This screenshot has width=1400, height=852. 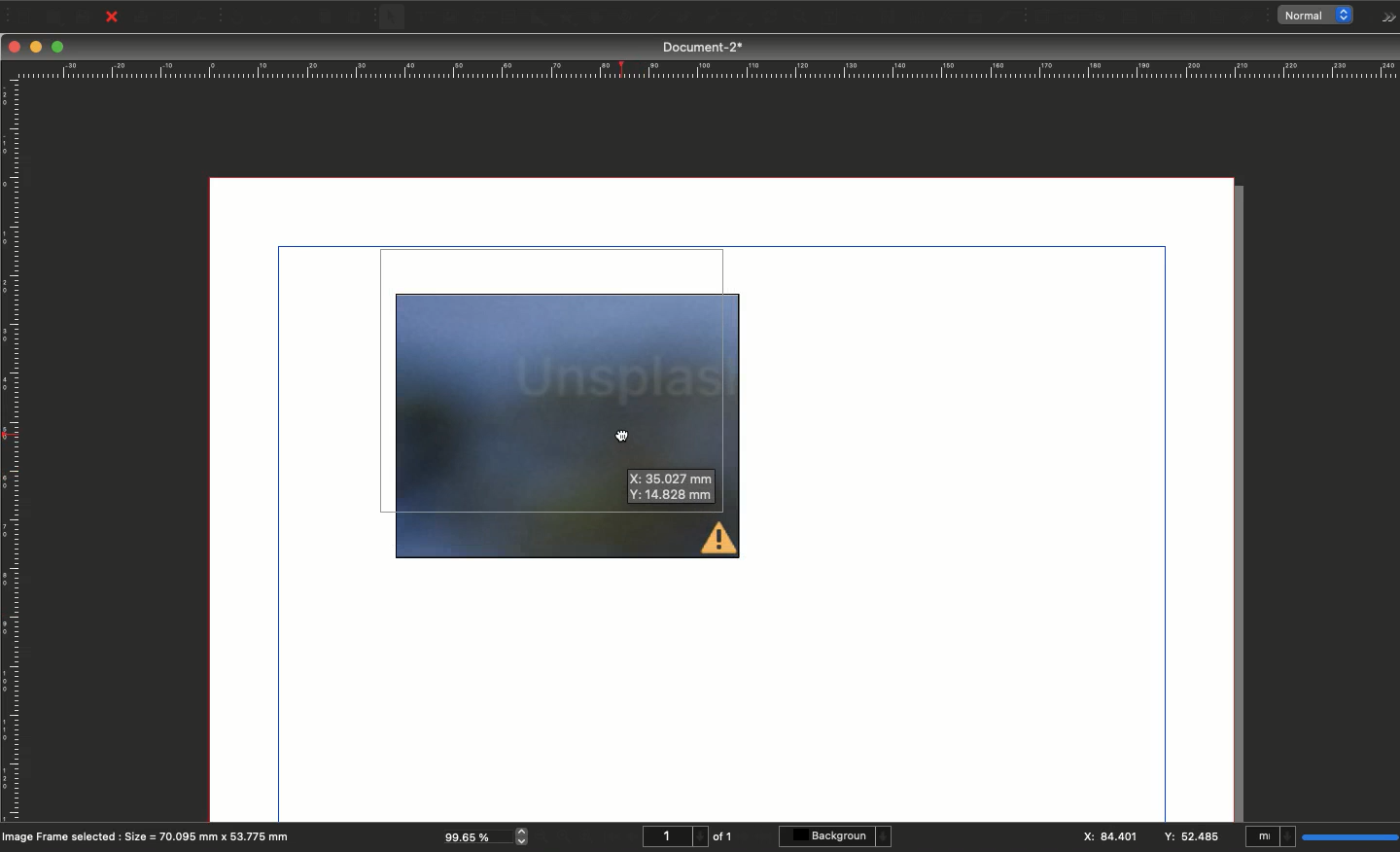 What do you see at coordinates (1220, 18) in the screenshot?
I see `Text annotation` at bounding box center [1220, 18].